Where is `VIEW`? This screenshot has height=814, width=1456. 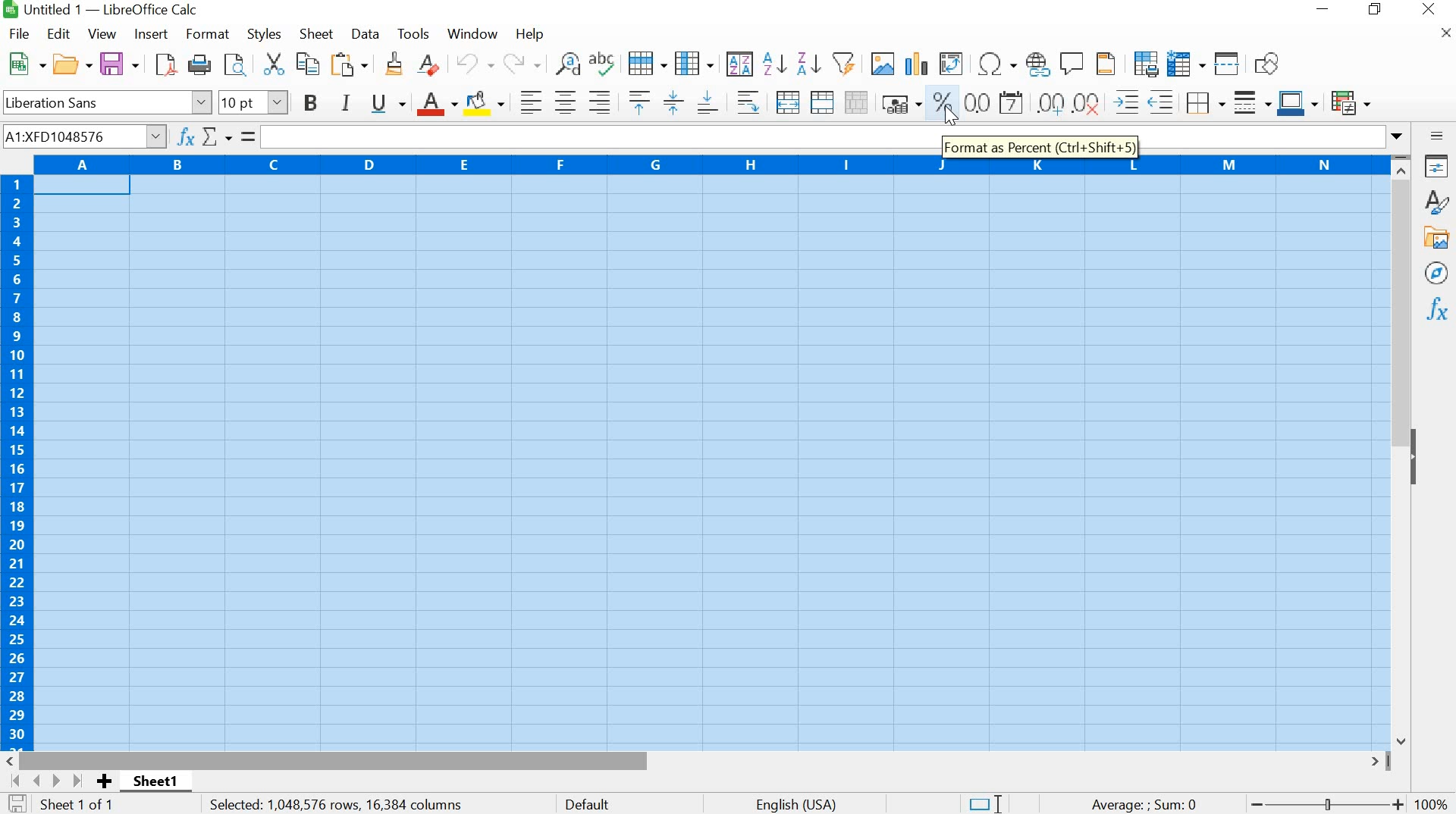
VIEW is located at coordinates (104, 32).